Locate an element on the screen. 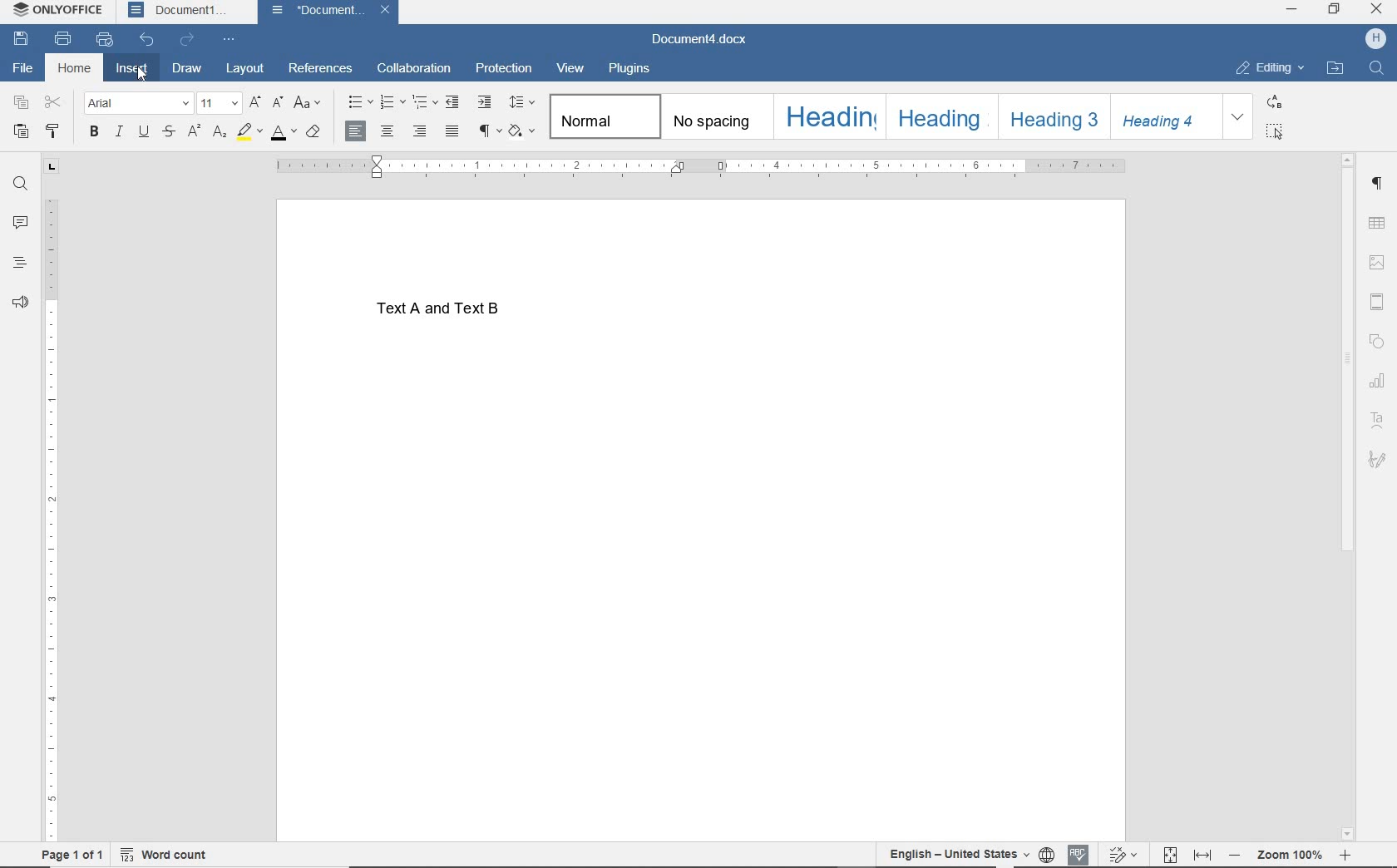 This screenshot has height=868, width=1397. close is located at coordinates (1377, 9).